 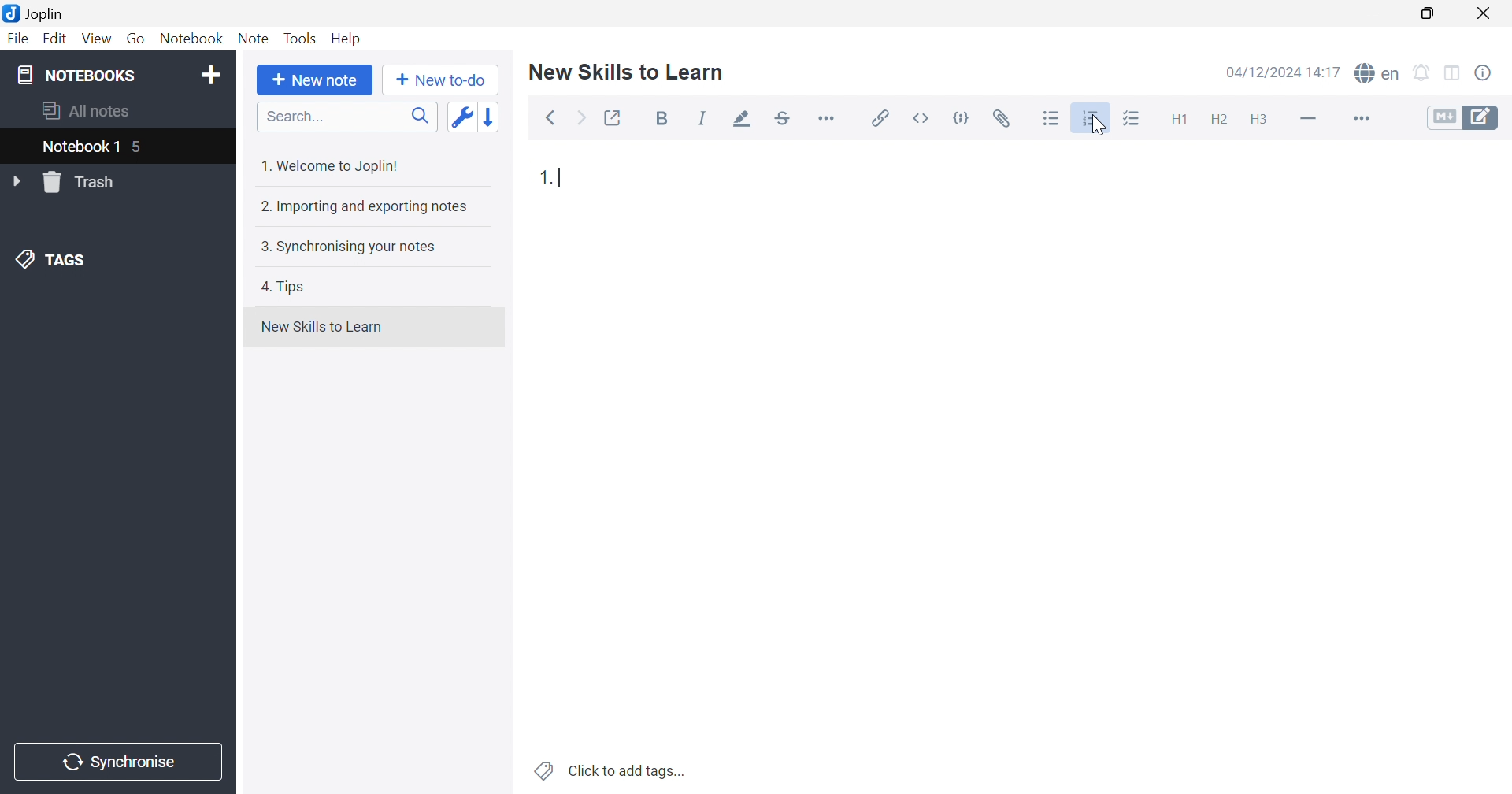 What do you see at coordinates (826, 117) in the screenshot?
I see `More...` at bounding box center [826, 117].